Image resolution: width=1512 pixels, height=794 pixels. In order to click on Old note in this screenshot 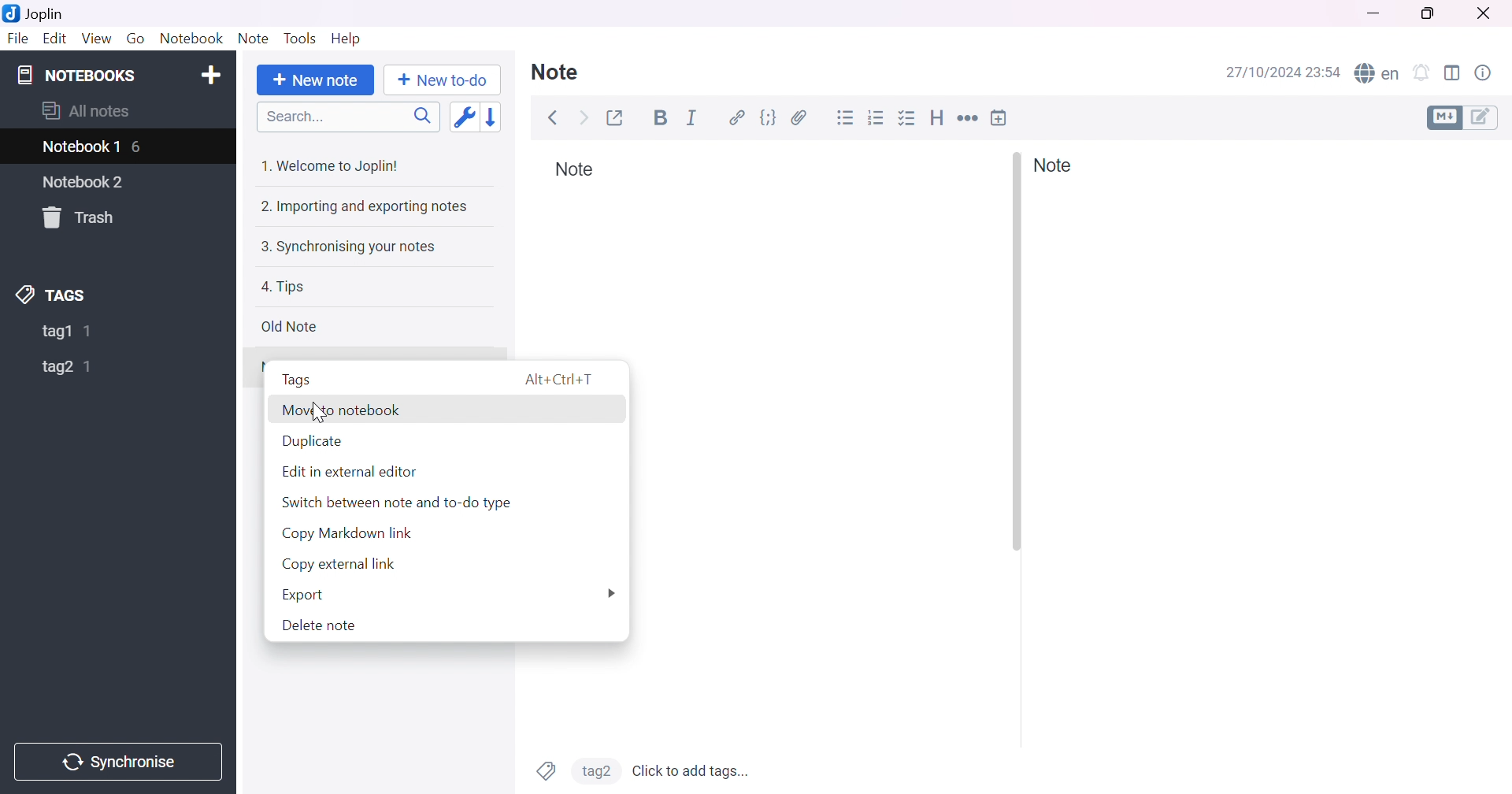, I will do `click(287, 326)`.